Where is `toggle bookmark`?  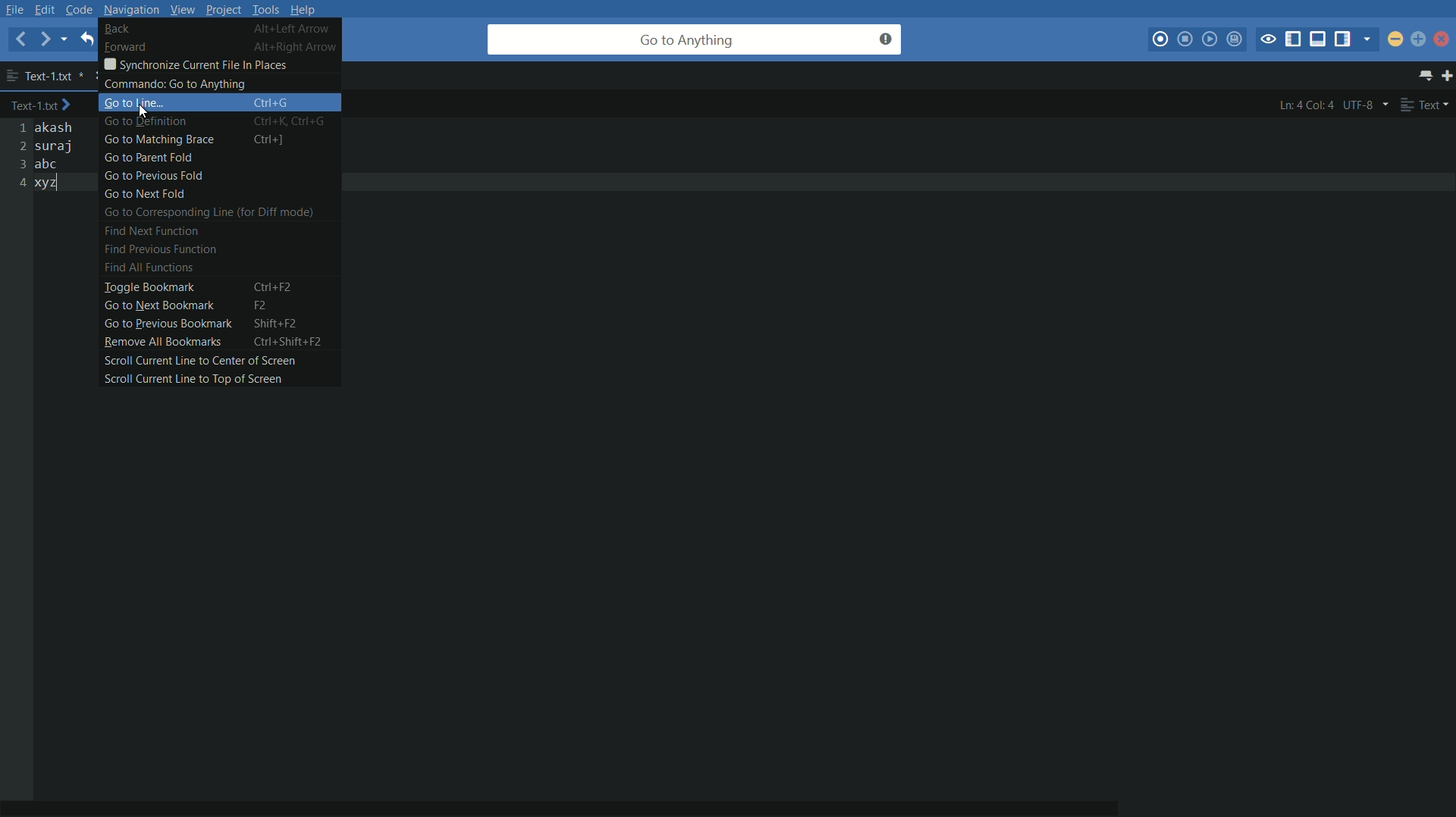 toggle bookmark is located at coordinates (146, 289).